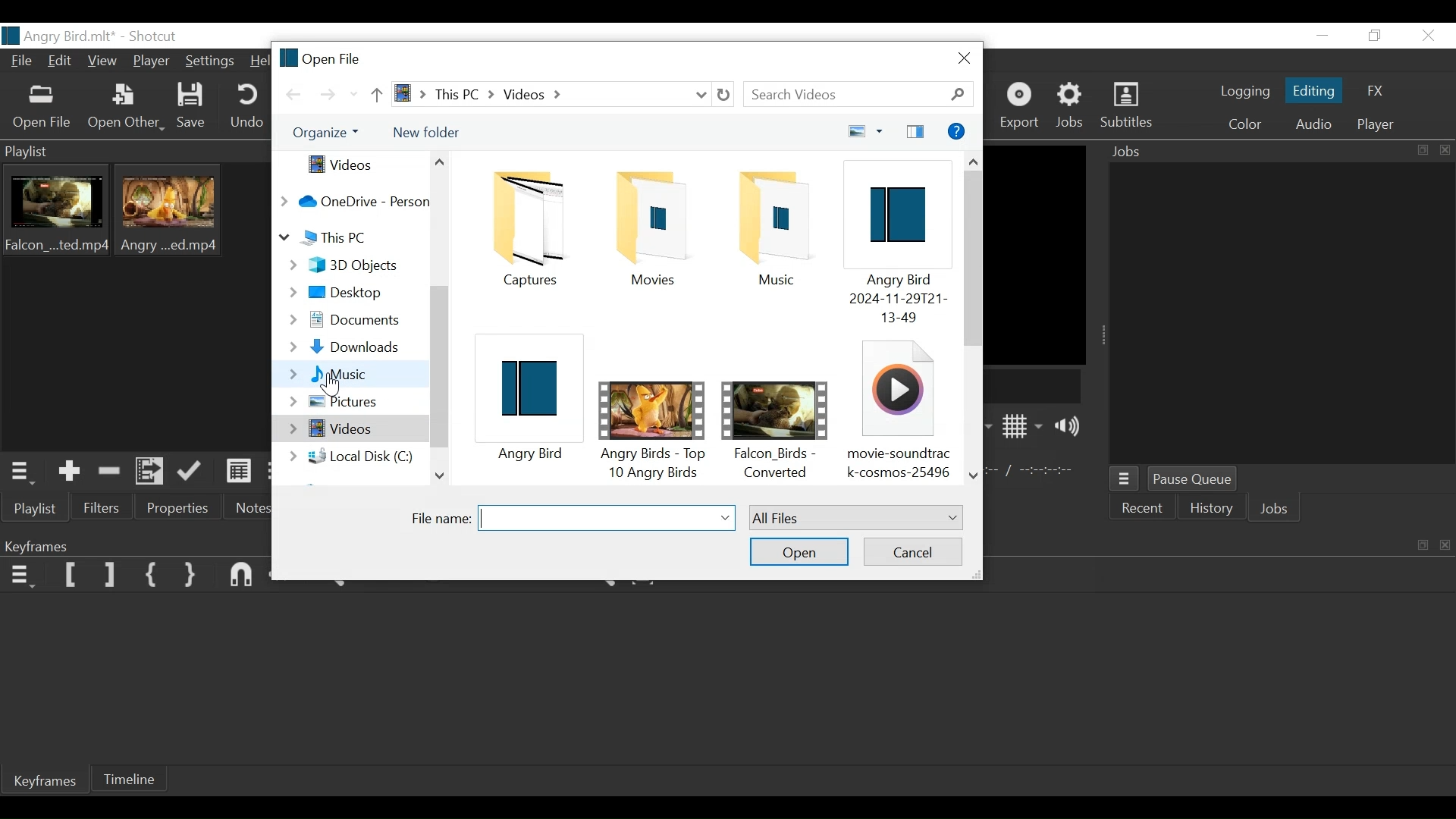 This screenshot has height=819, width=1456. Describe the element at coordinates (1214, 510) in the screenshot. I see `History` at that location.